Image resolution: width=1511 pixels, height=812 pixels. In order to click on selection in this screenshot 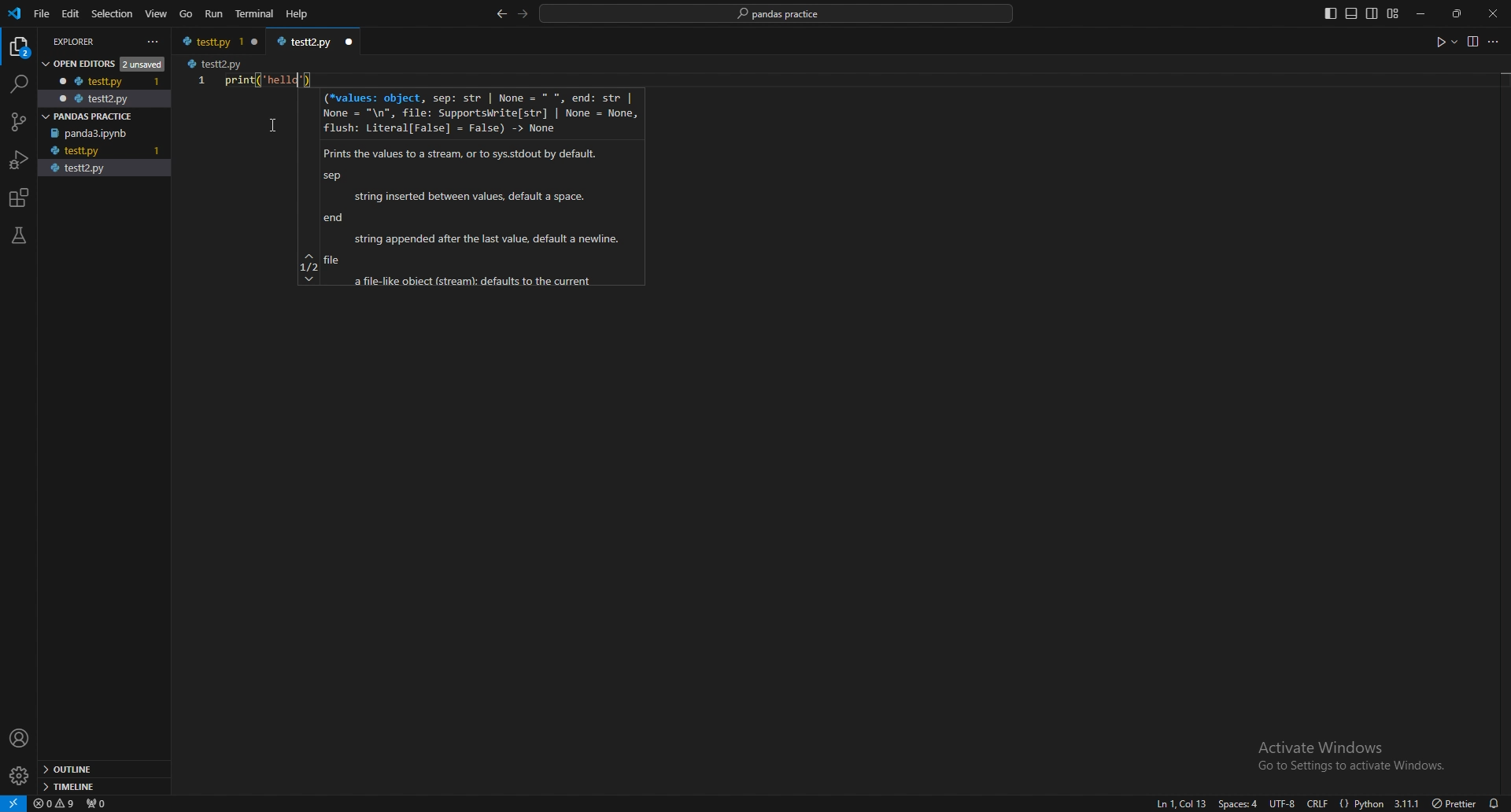, I will do `click(113, 13)`.